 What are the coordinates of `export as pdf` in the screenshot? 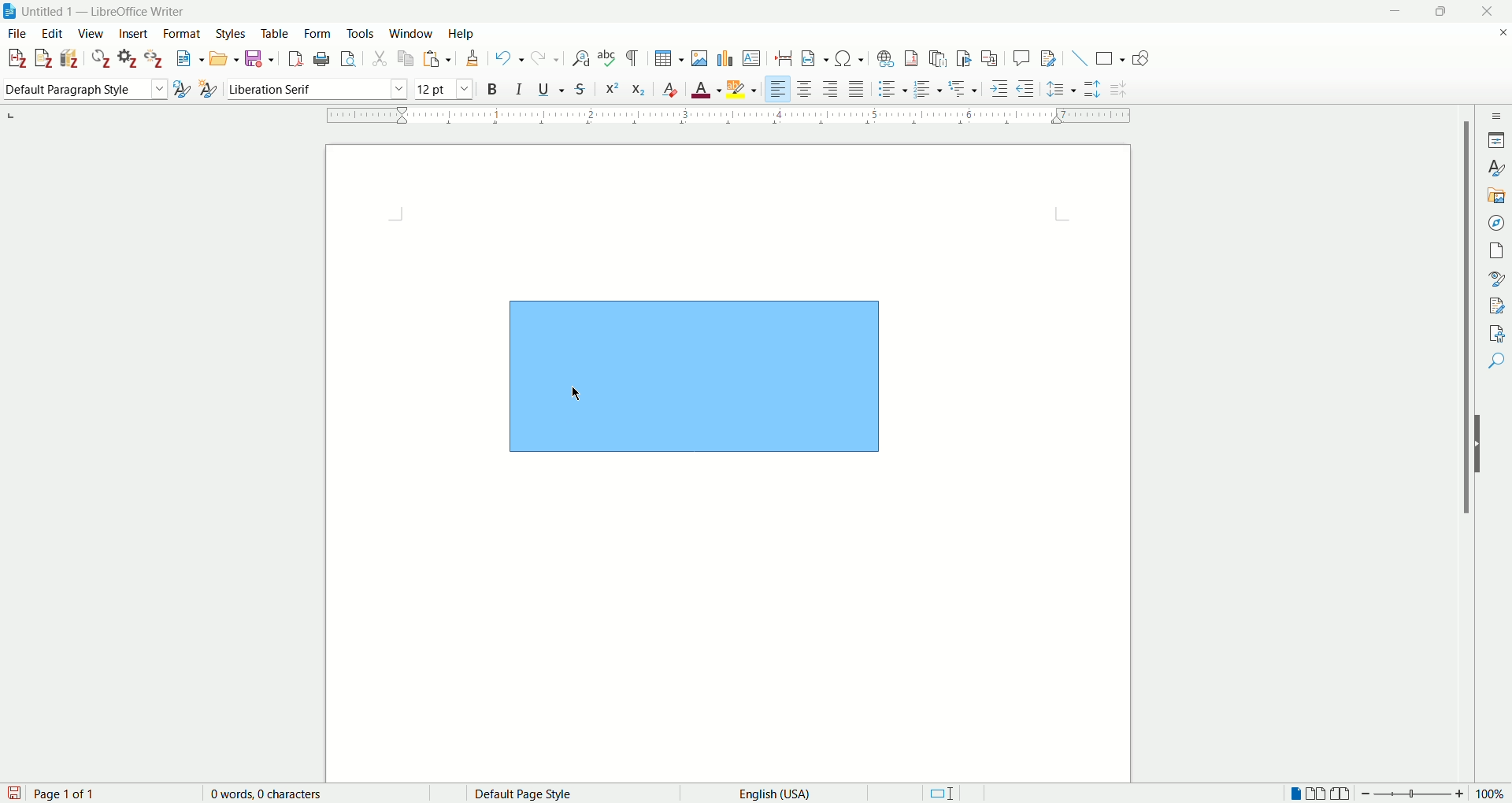 It's located at (297, 58).